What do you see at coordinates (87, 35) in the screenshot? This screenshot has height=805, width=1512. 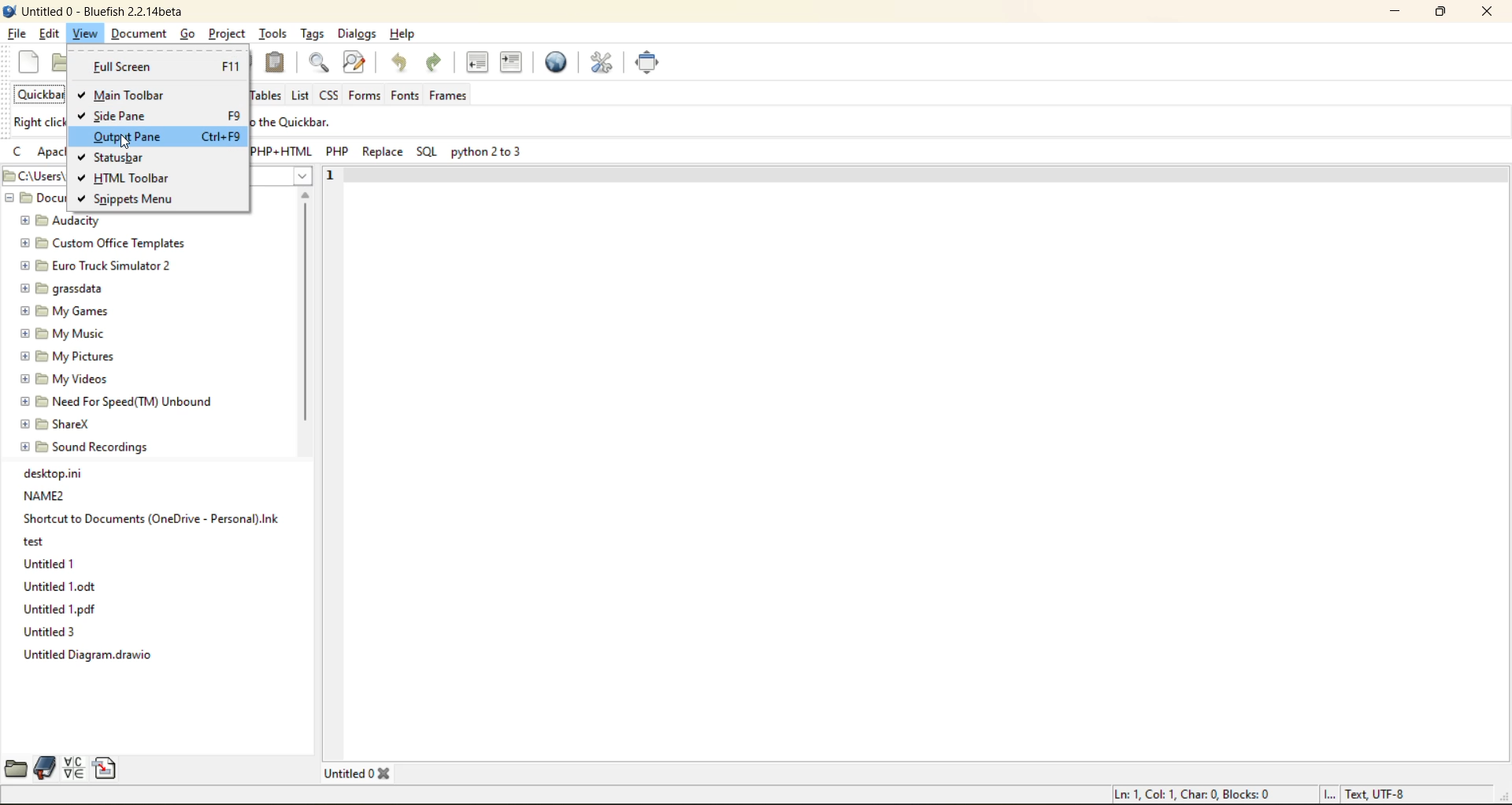 I see `view` at bounding box center [87, 35].